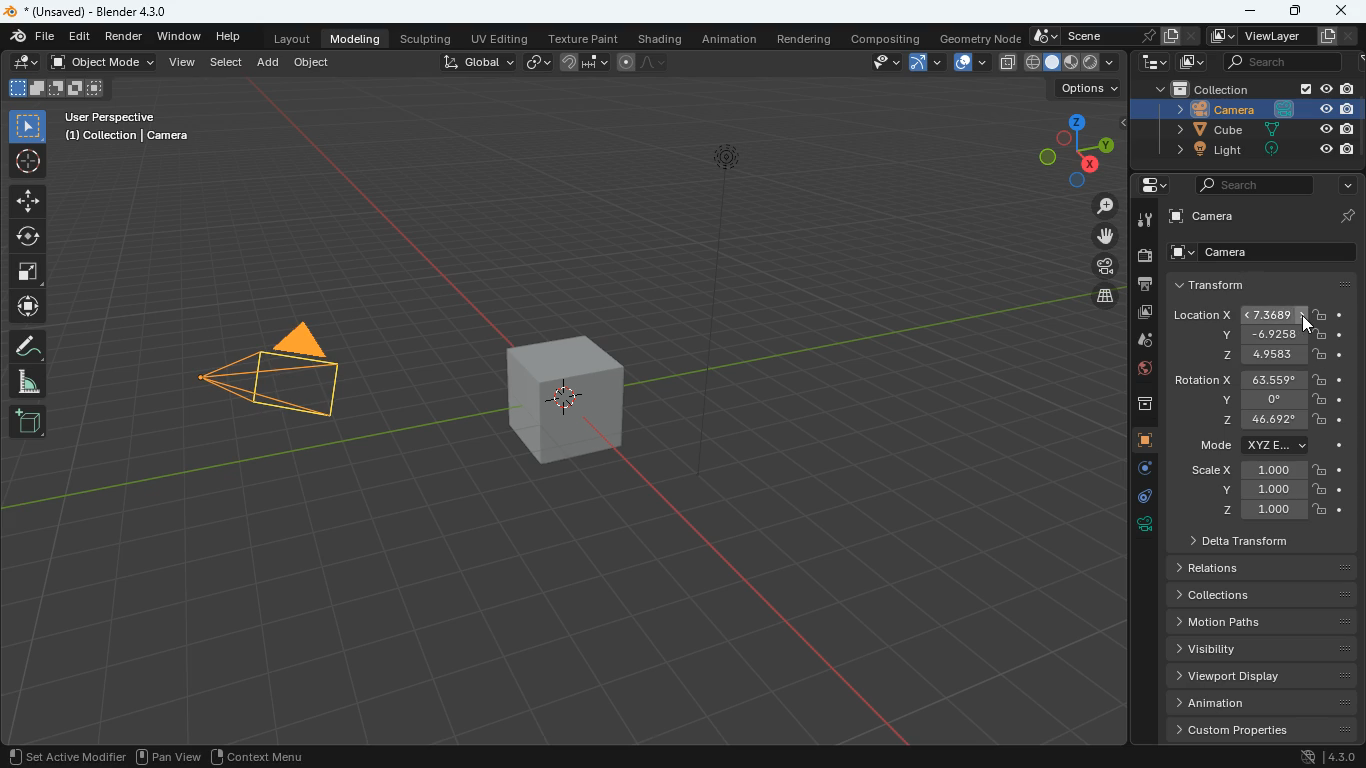 The width and height of the screenshot is (1366, 768). What do you see at coordinates (1141, 369) in the screenshot?
I see `globe` at bounding box center [1141, 369].